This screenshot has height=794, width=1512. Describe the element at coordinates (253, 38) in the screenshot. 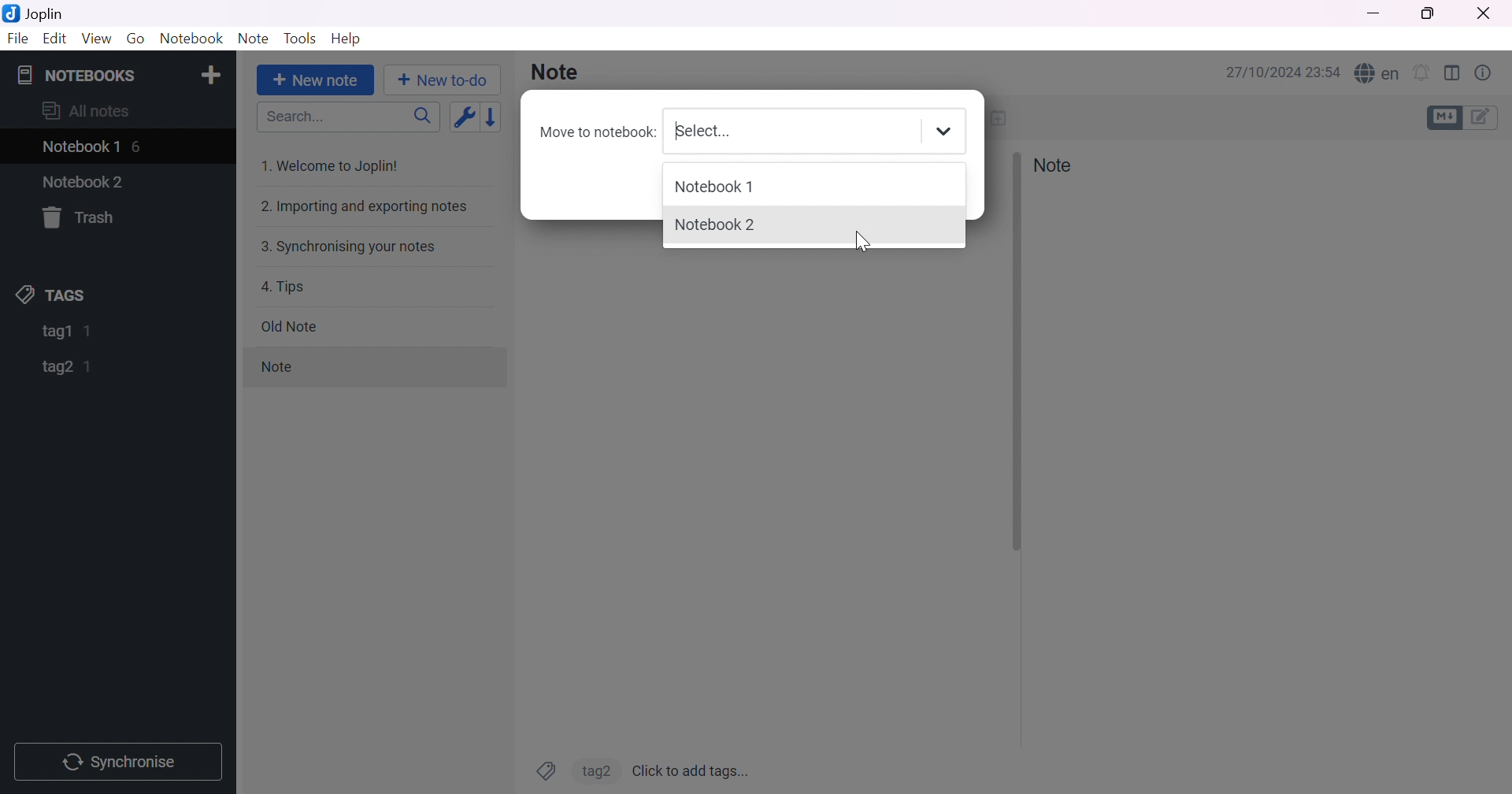

I see `Note` at that location.